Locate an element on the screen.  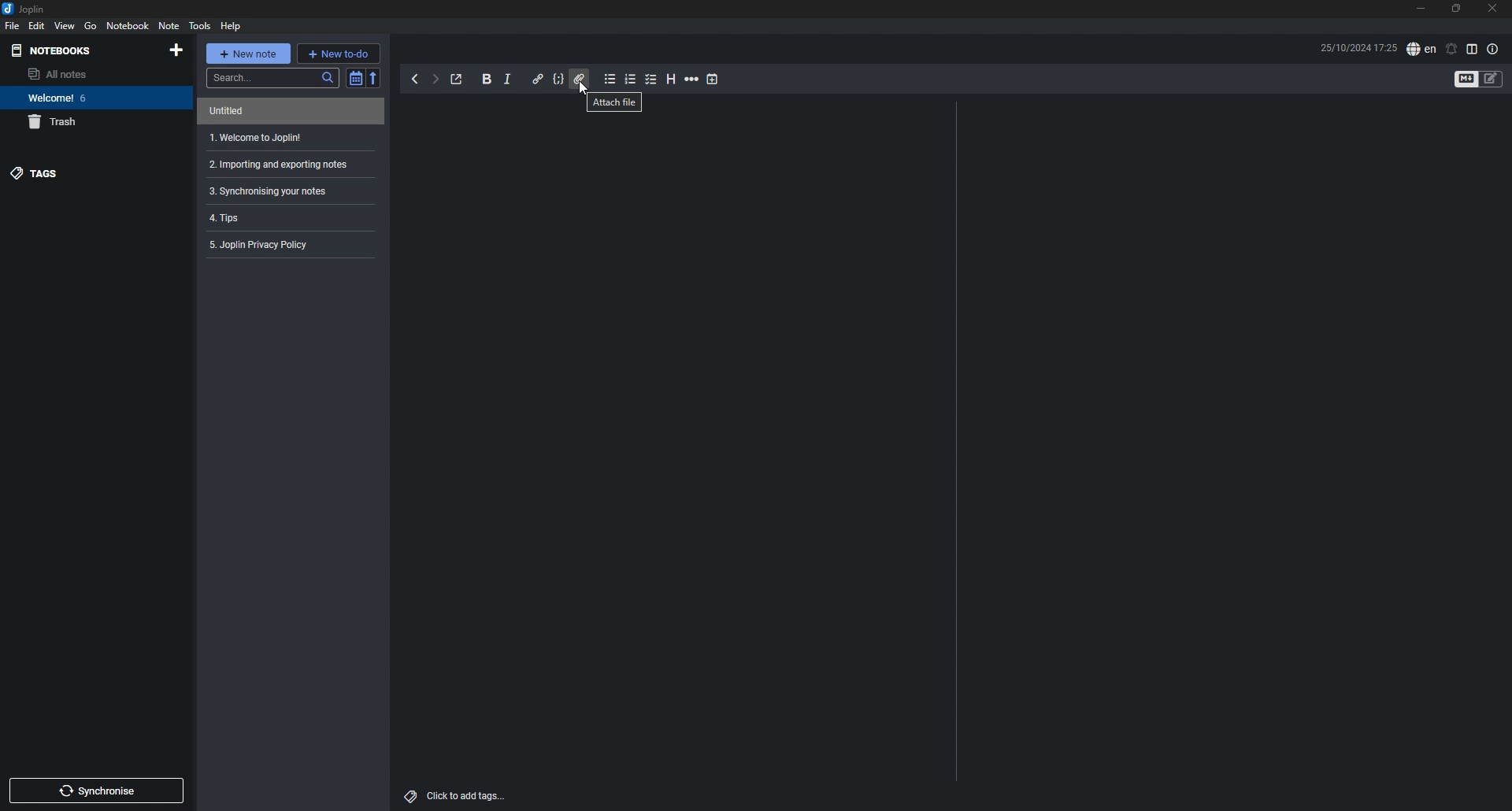
Cursor is located at coordinates (582, 89).